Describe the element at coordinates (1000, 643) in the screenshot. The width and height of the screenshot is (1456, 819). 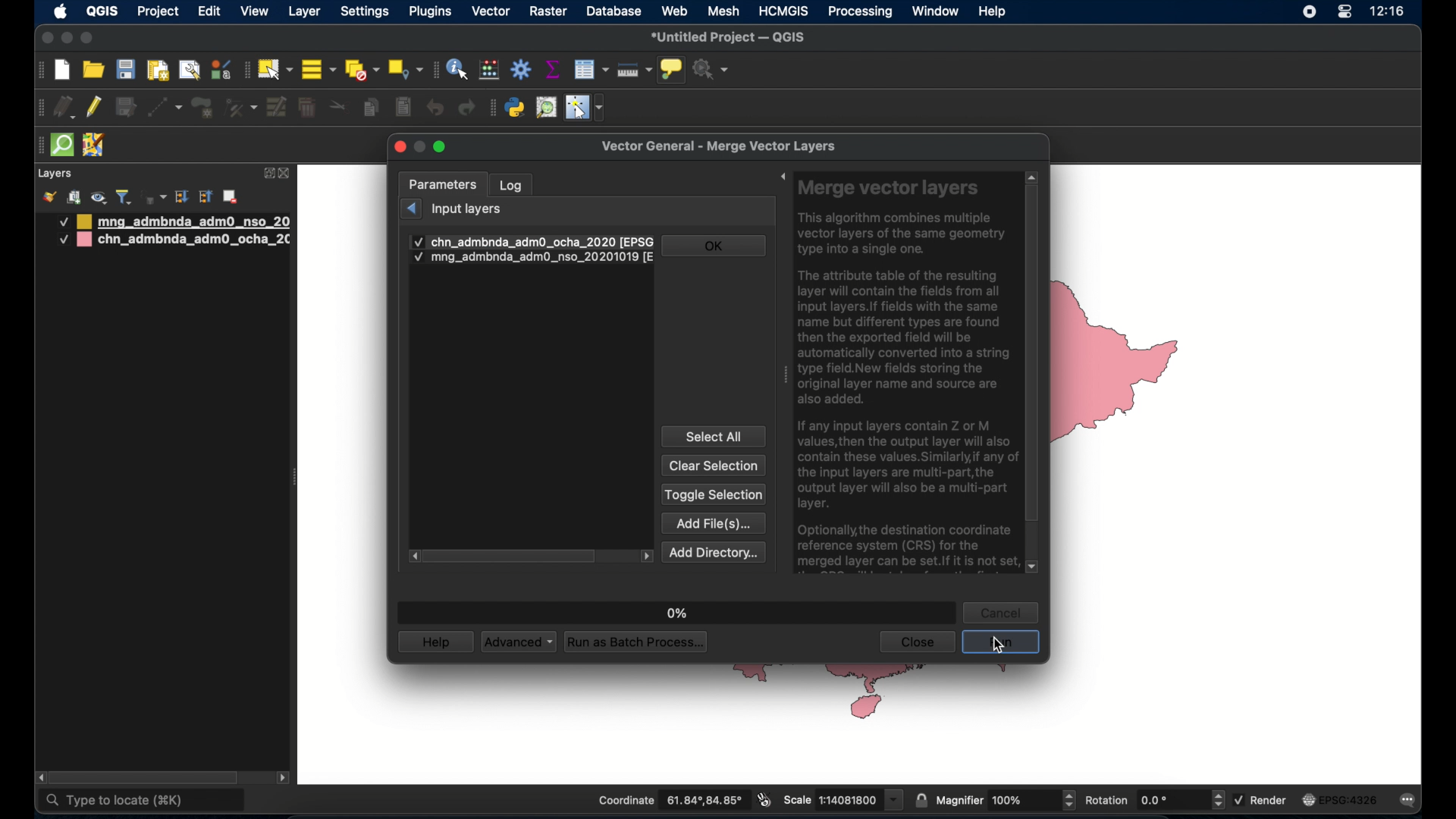
I see `run` at that location.